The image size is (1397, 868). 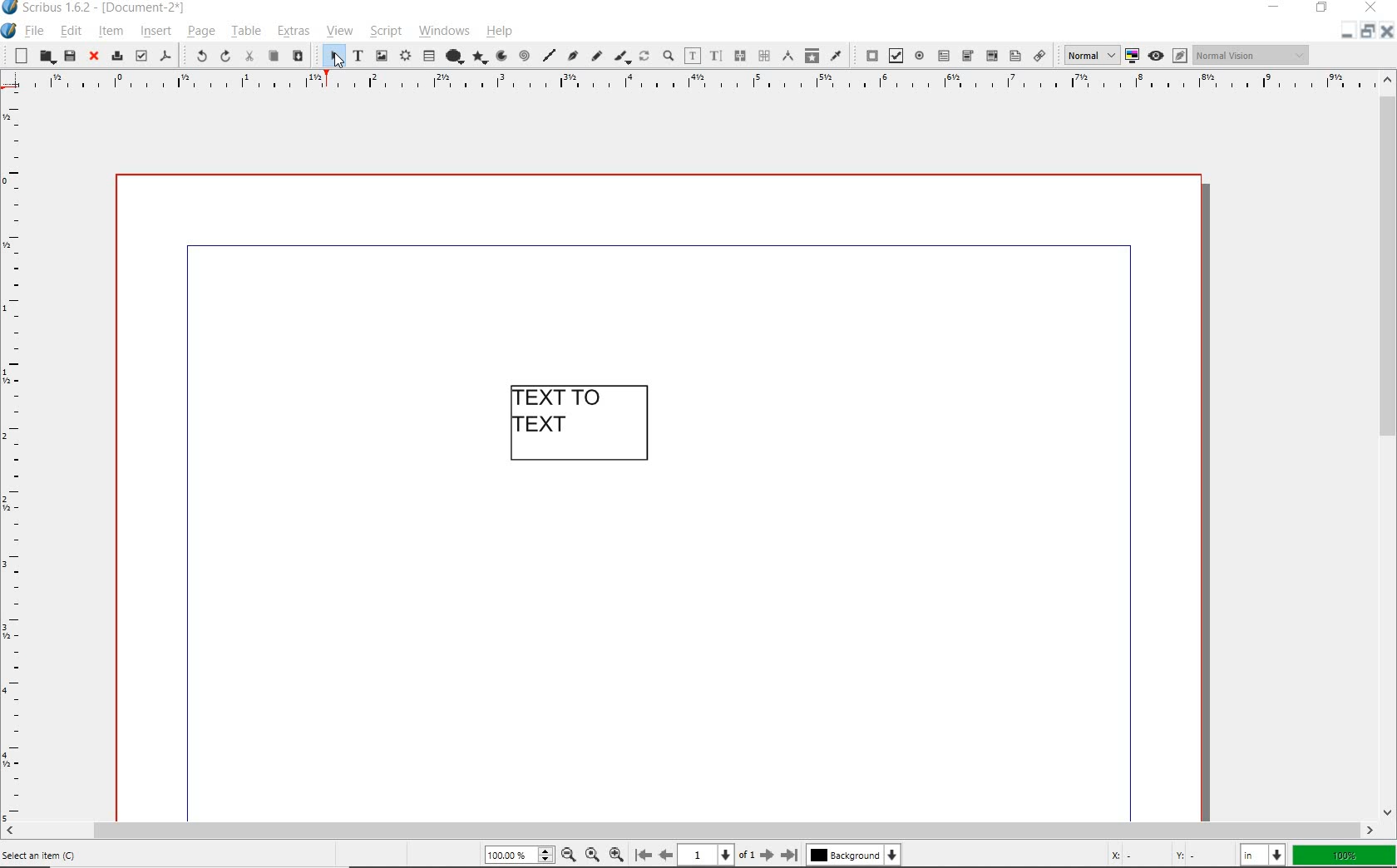 I want to click on edit contents of frame, so click(x=693, y=55).